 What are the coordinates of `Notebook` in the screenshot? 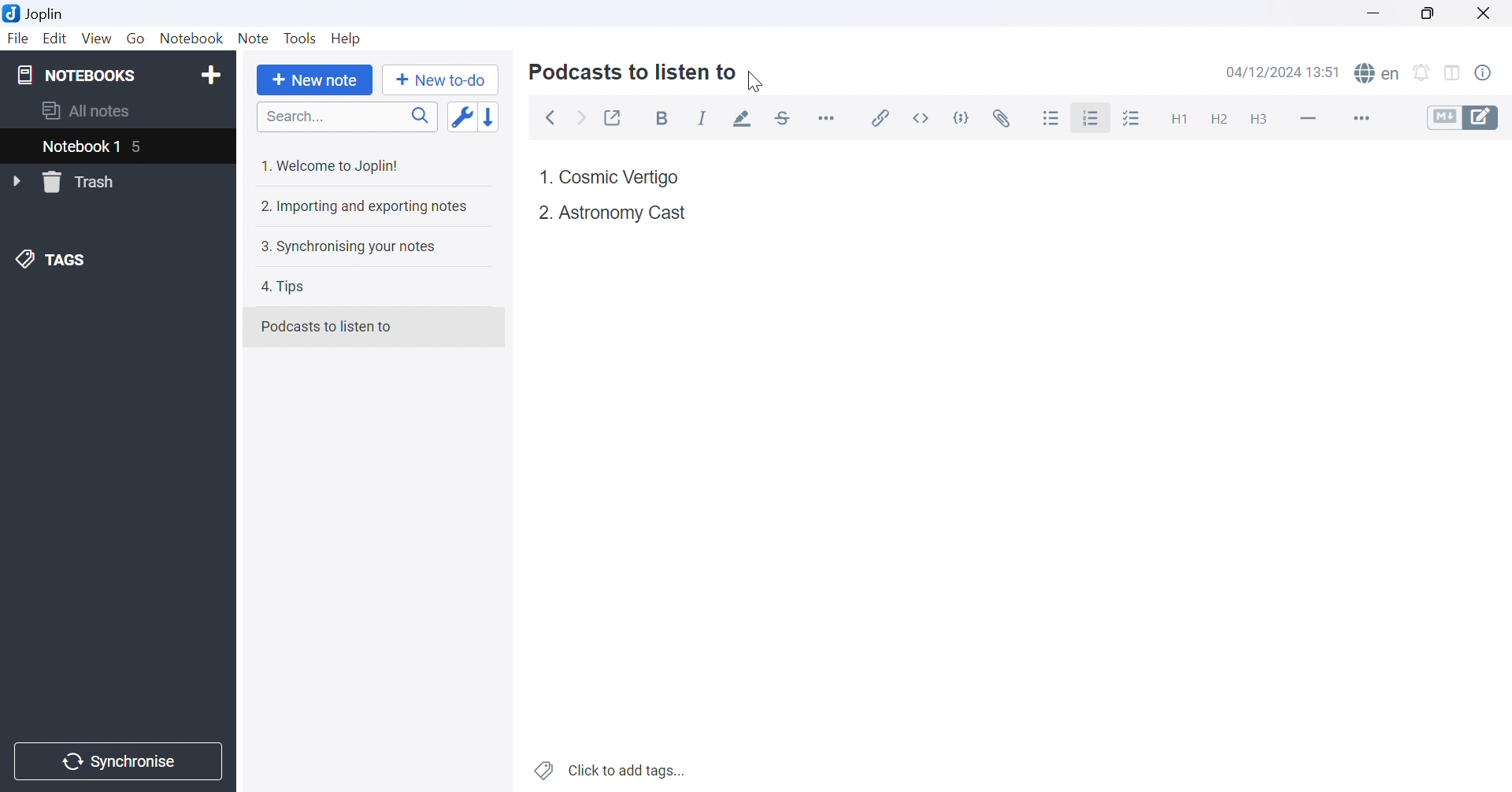 It's located at (192, 37).